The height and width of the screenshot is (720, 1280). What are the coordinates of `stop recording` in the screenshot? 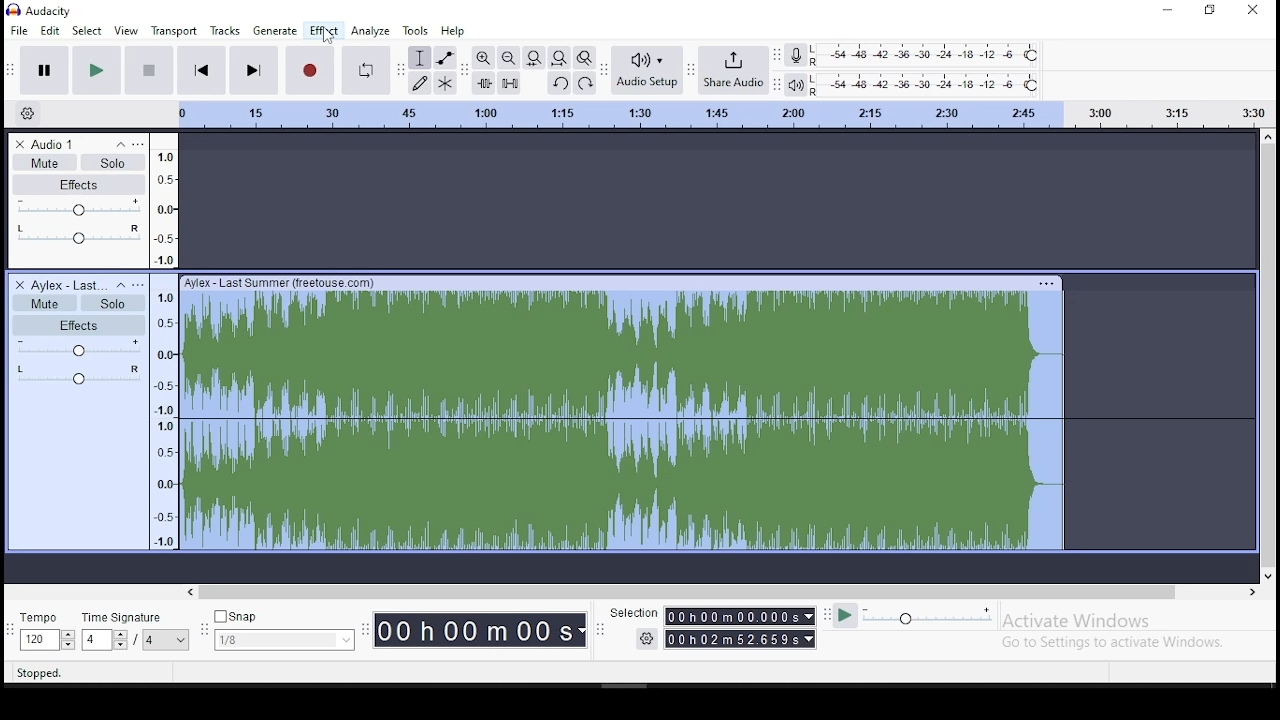 It's located at (308, 70).